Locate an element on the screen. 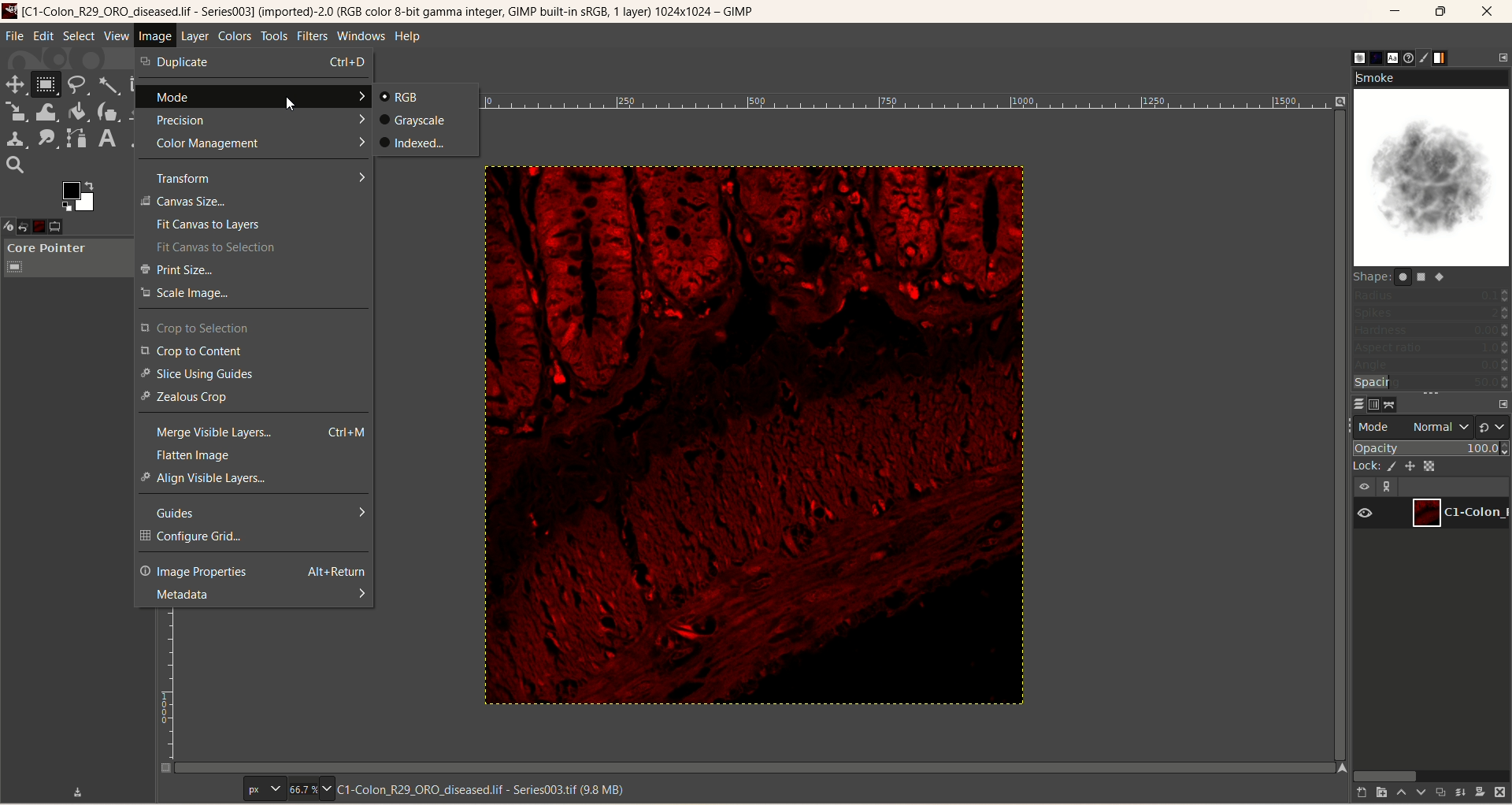 Image resolution: width=1512 pixels, height=805 pixels. clone tool is located at coordinates (17, 138).